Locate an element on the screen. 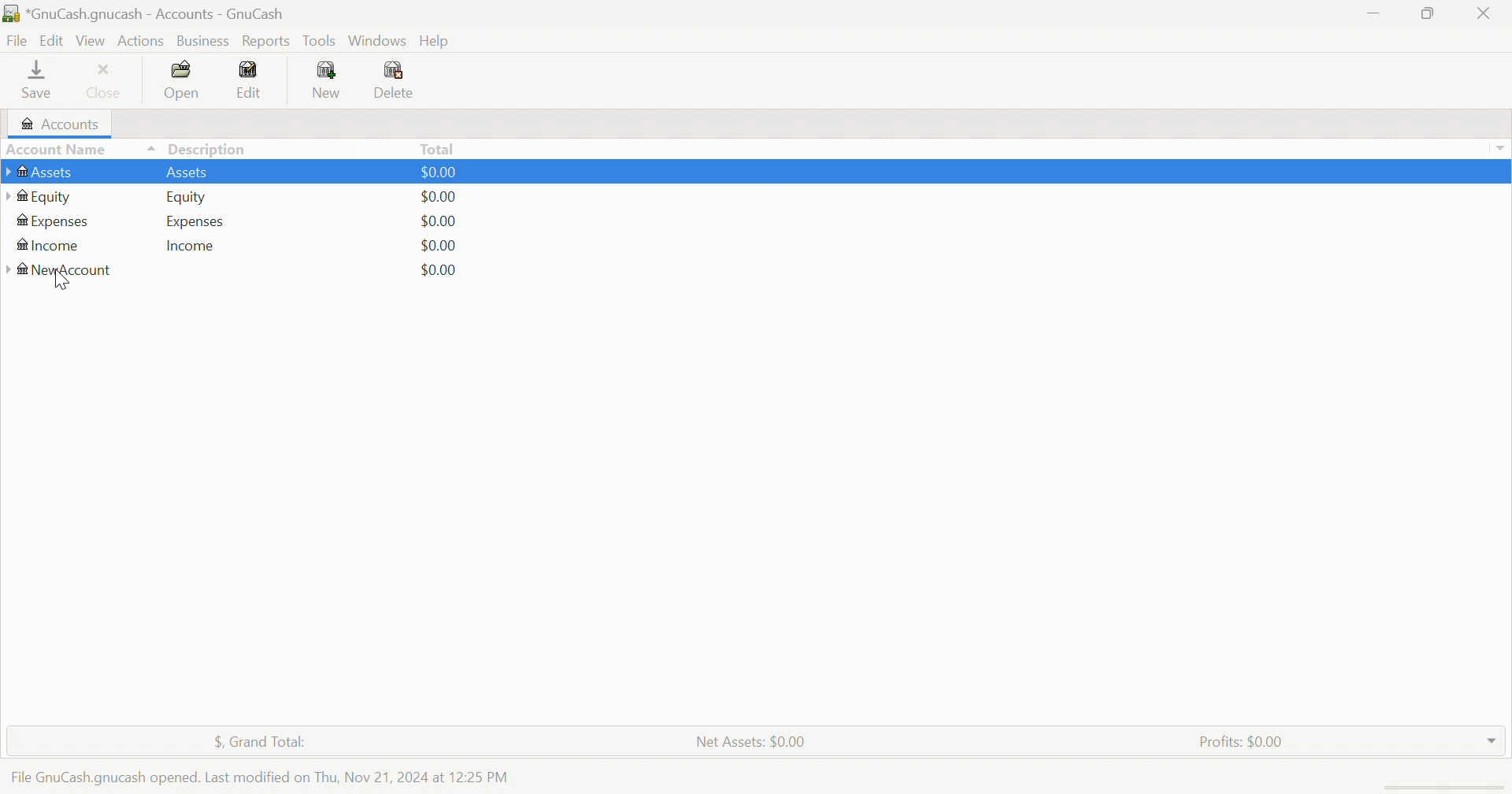 This screenshot has width=1512, height=794. $0.00 is located at coordinates (438, 269).